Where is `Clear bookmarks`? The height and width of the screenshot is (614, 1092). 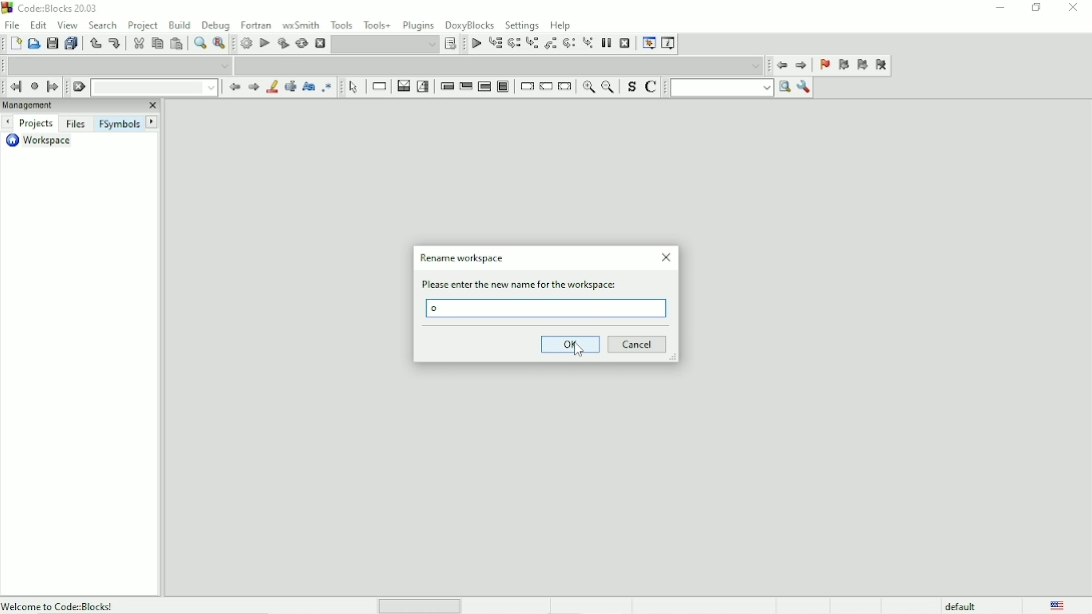 Clear bookmarks is located at coordinates (881, 66).